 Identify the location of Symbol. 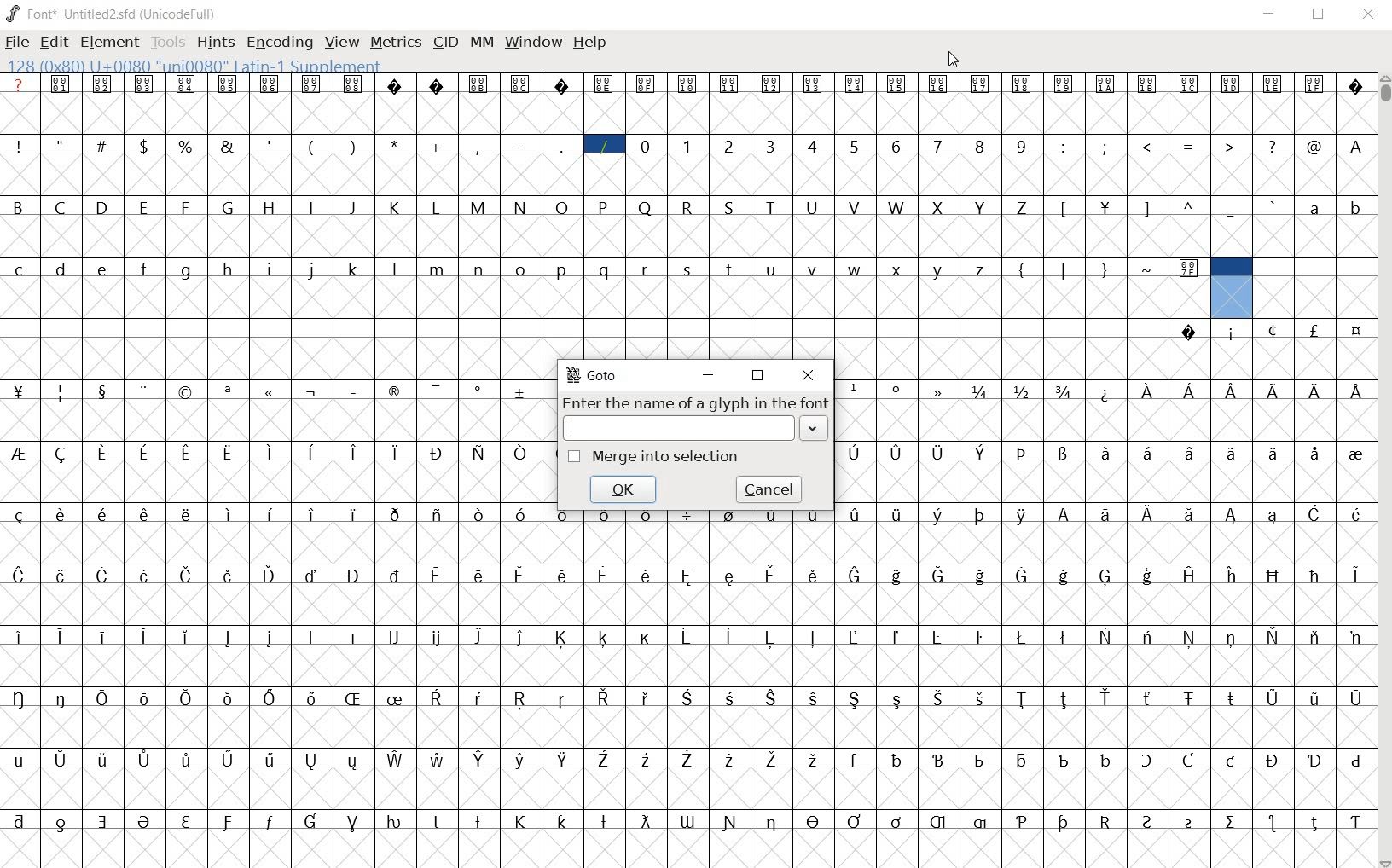
(1066, 698).